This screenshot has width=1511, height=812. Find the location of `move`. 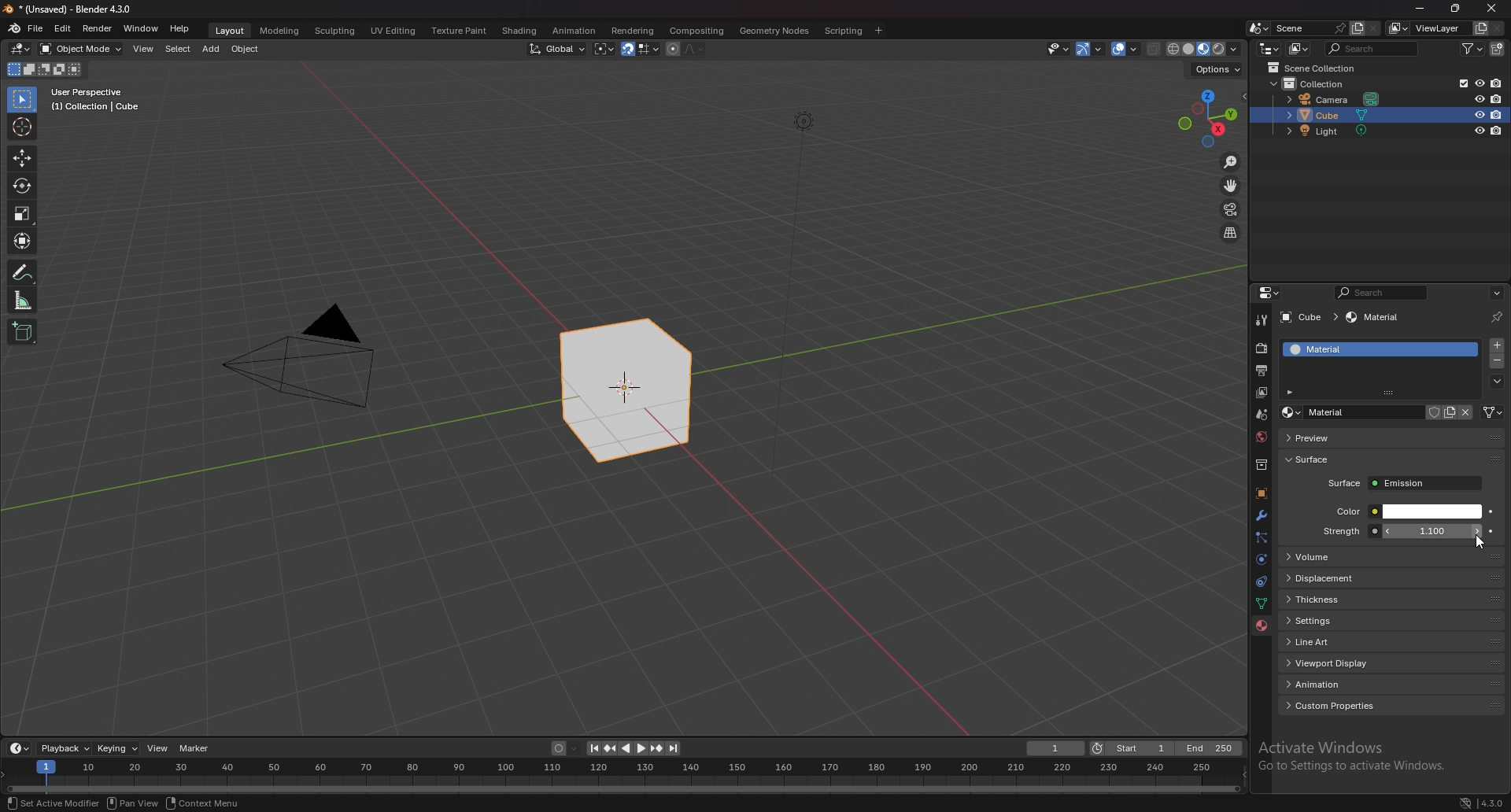

move is located at coordinates (21, 159).